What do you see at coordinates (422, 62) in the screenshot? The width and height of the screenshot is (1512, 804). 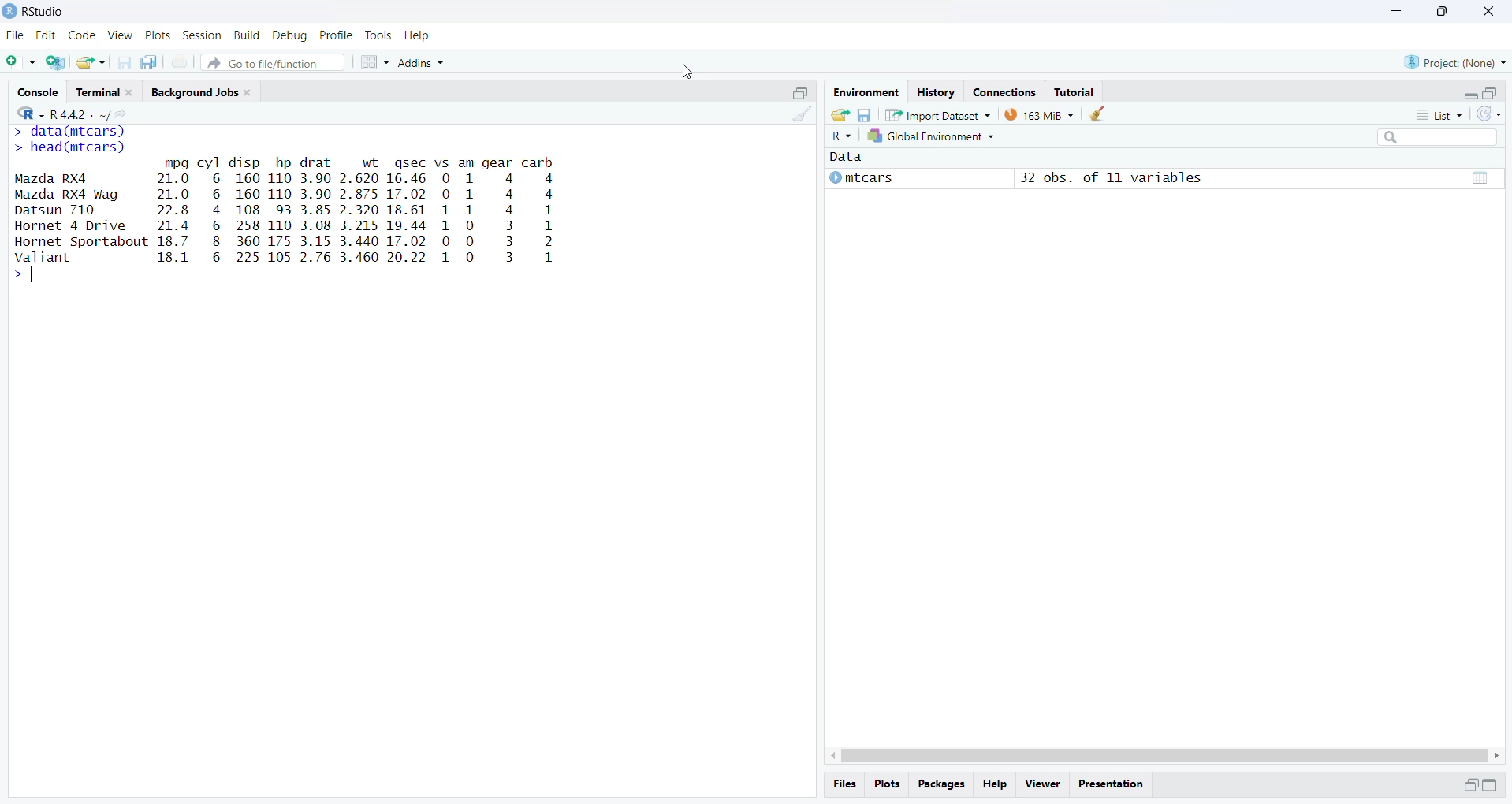 I see `Addins` at bounding box center [422, 62].